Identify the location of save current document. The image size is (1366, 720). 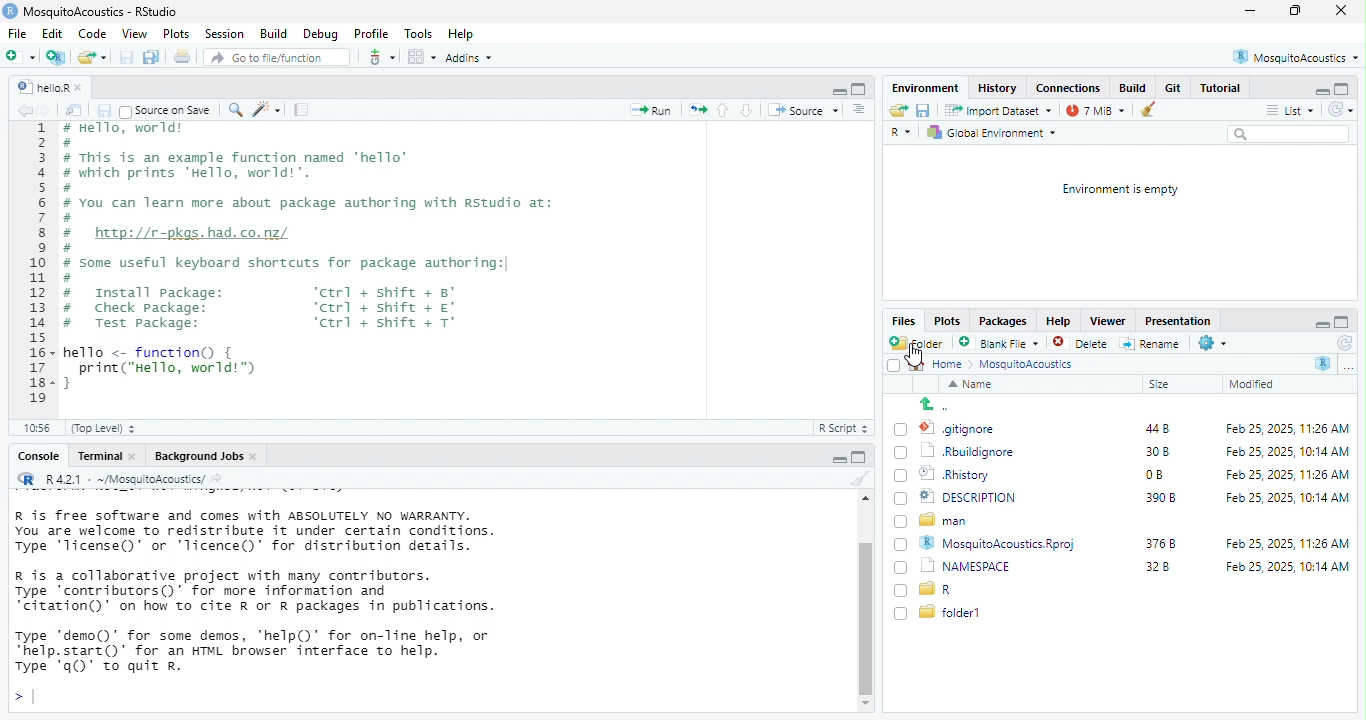
(105, 110).